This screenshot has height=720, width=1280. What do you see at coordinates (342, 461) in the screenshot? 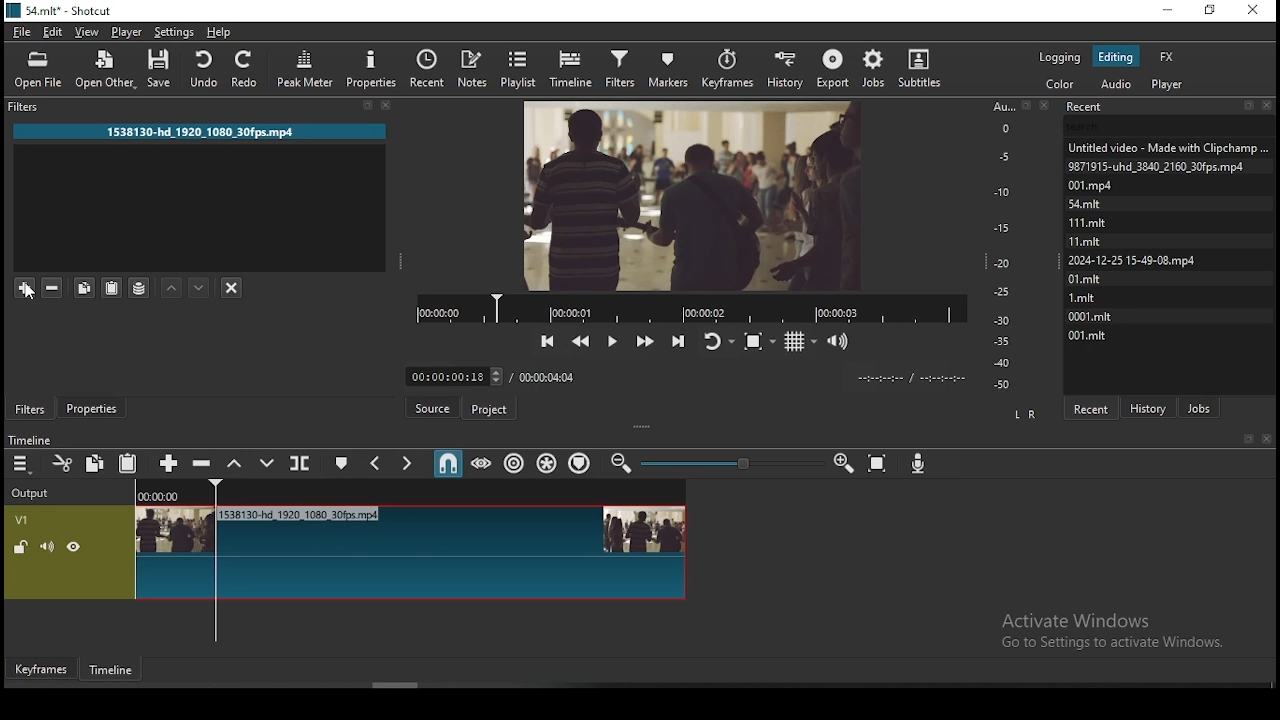
I see `create/edit marker` at bounding box center [342, 461].